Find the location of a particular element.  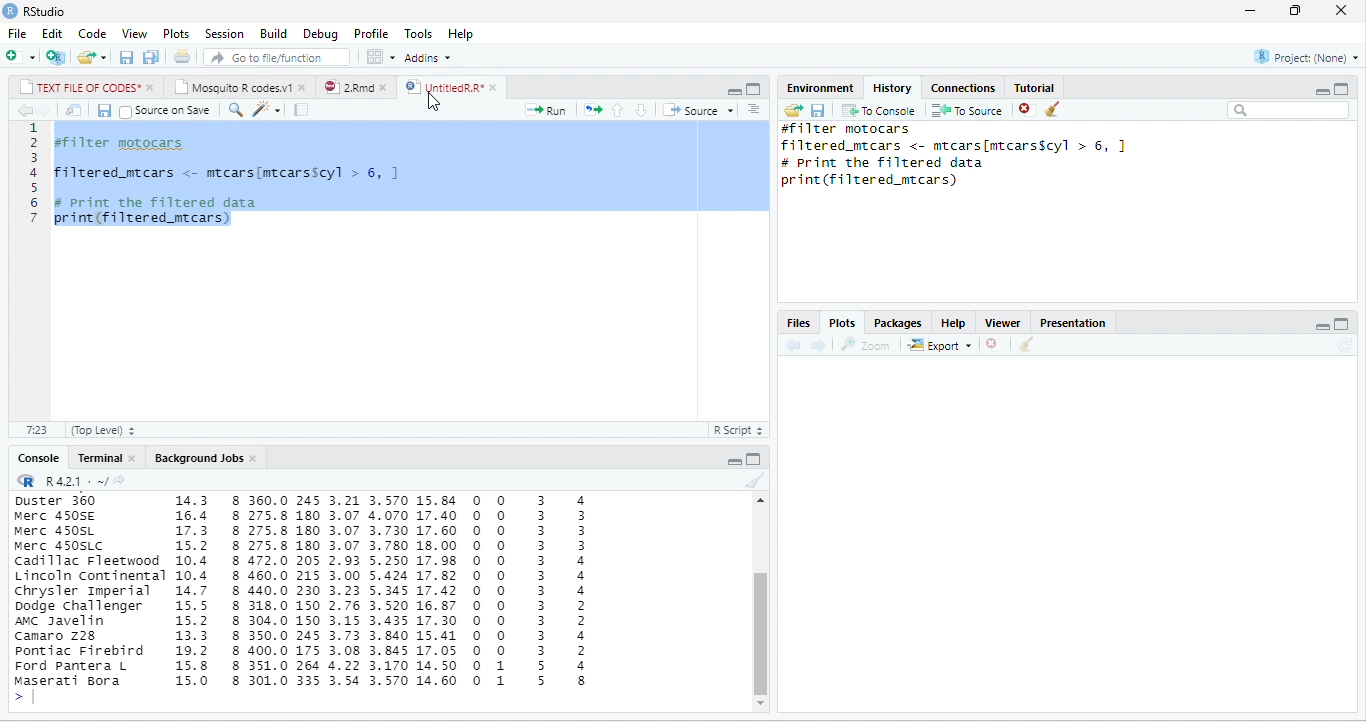

Run is located at coordinates (545, 110).